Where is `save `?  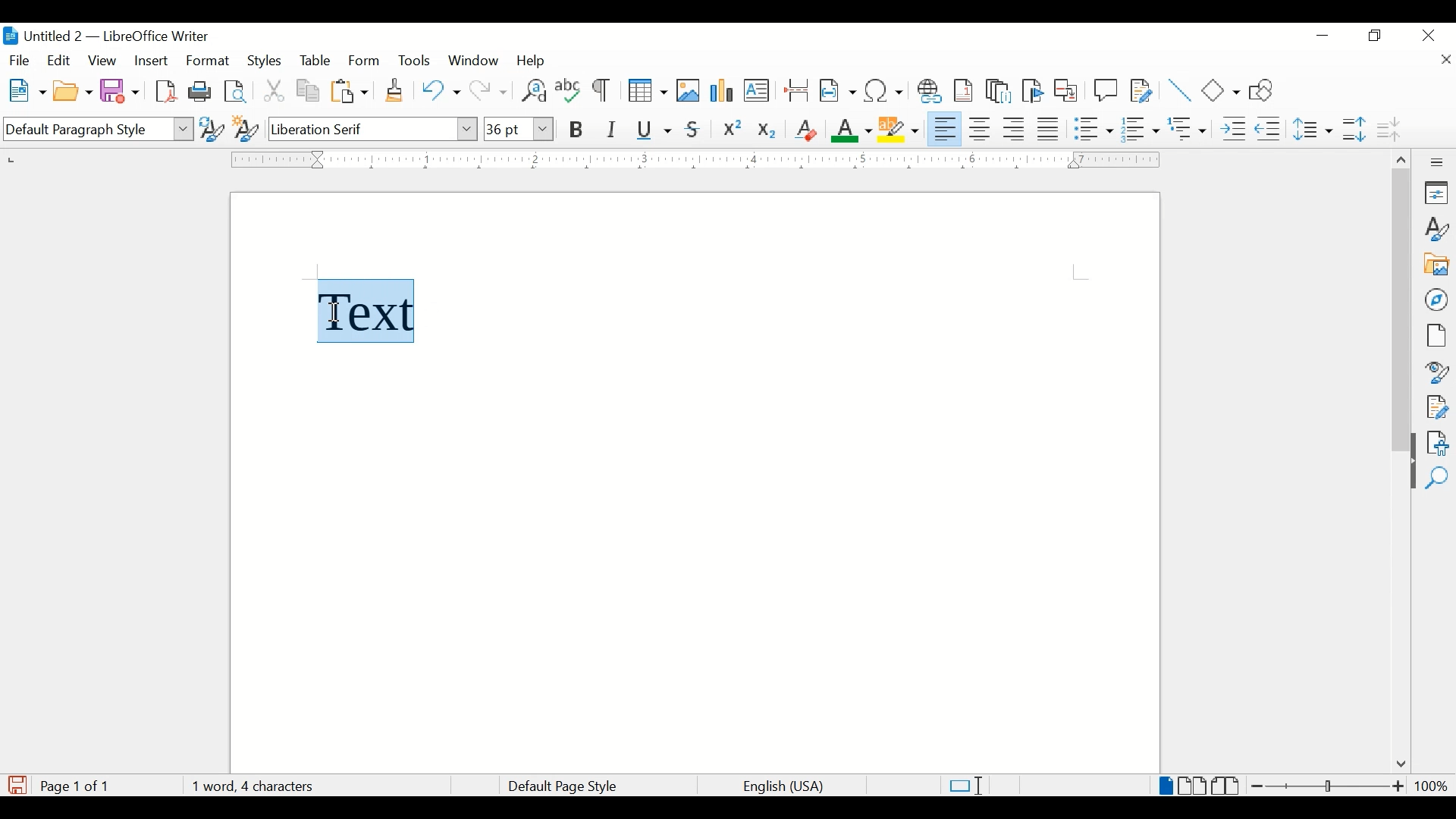
save  is located at coordinates (121, 90).